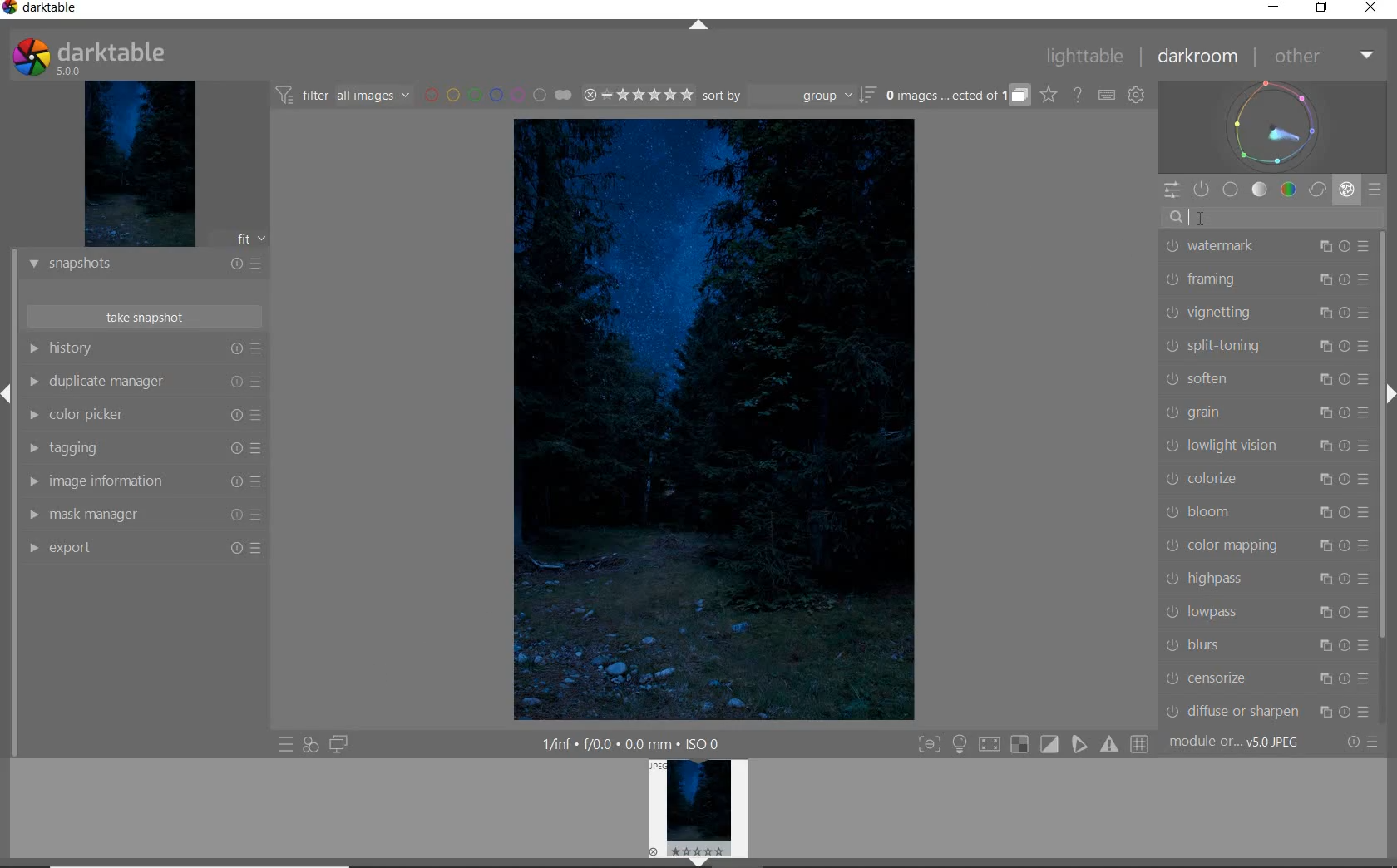 Image resolution: width=1397 pixels, height=868 pixels. I want to click on TAGGING, so click(142, 448).